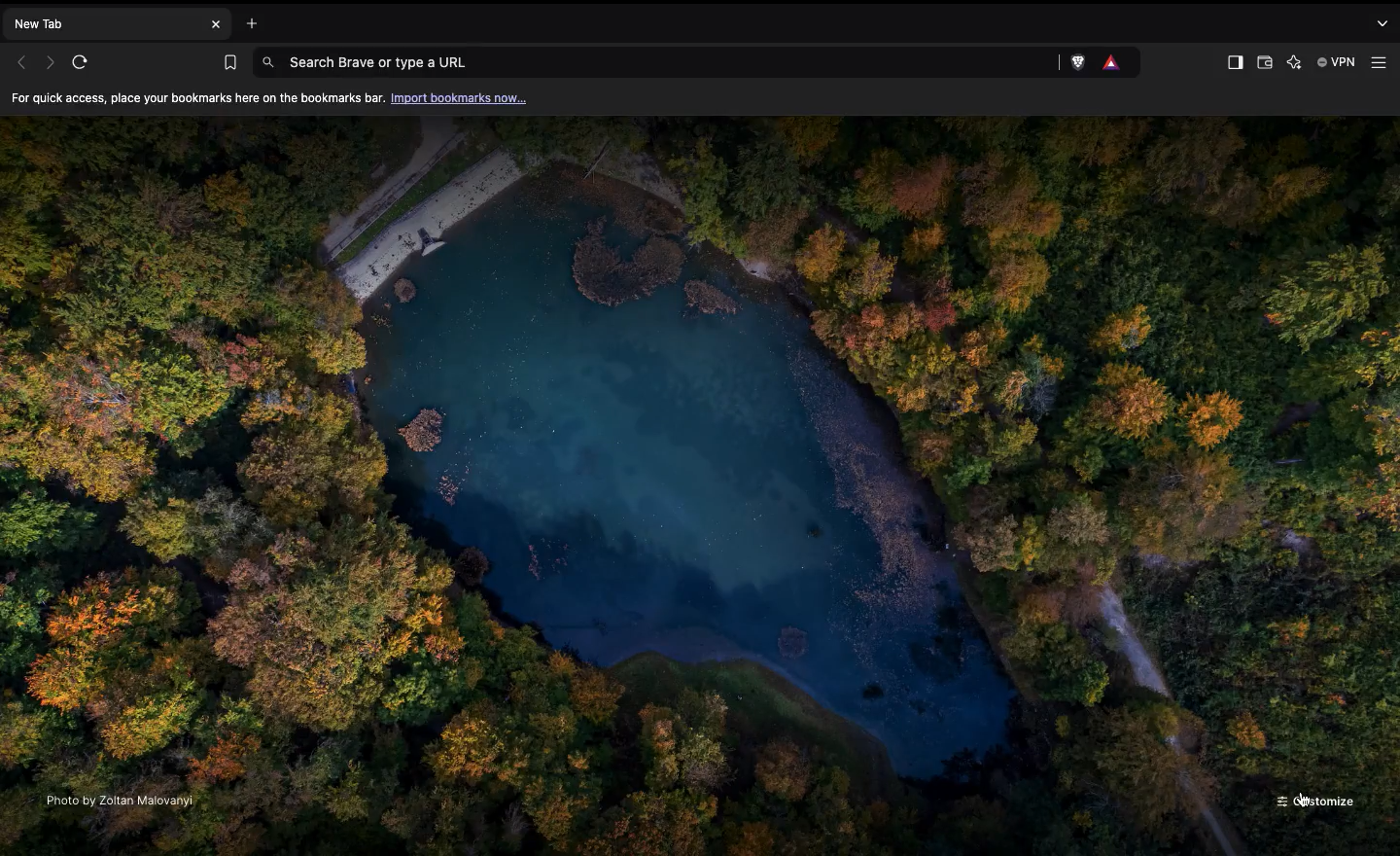  I want to click on Search tabs, so click(1385, 22).